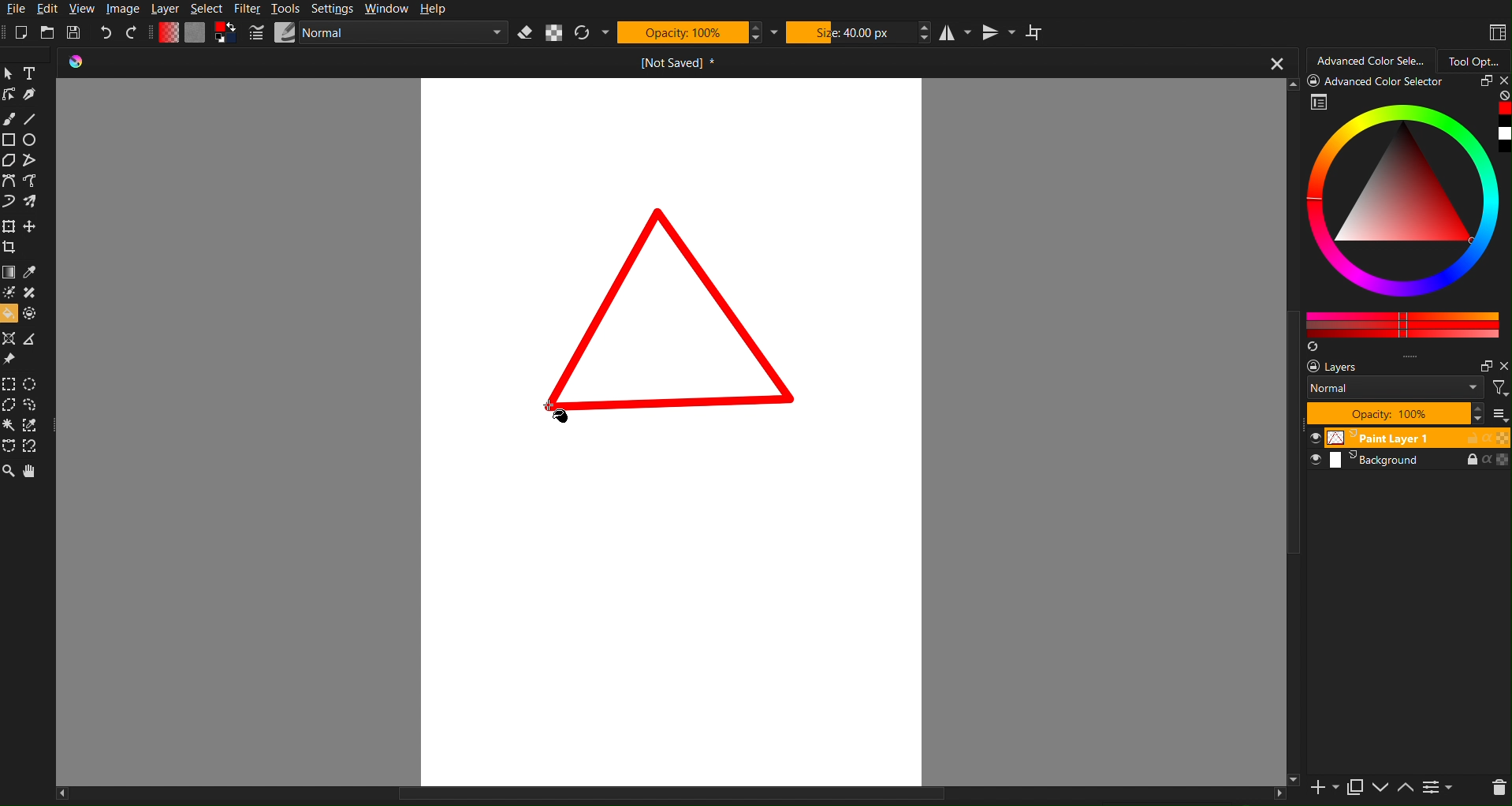 This screenshot has height=806, width=1512. What do you see at coordinates (1496, 32) in the screenshot?
I see `Workspaces` at bounding box center [1496, 32].